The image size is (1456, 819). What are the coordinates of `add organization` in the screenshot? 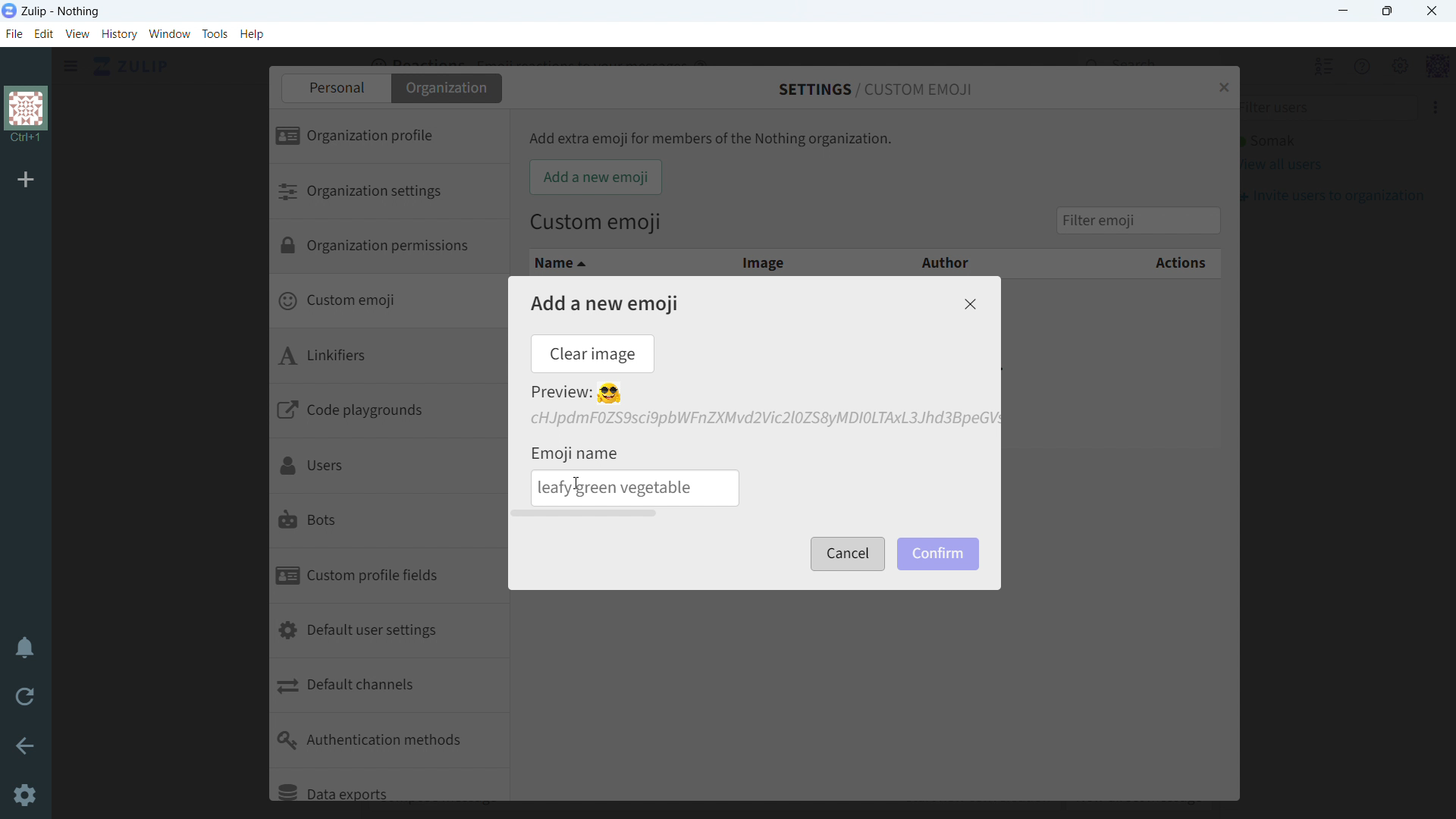 It's located at (27, 180).